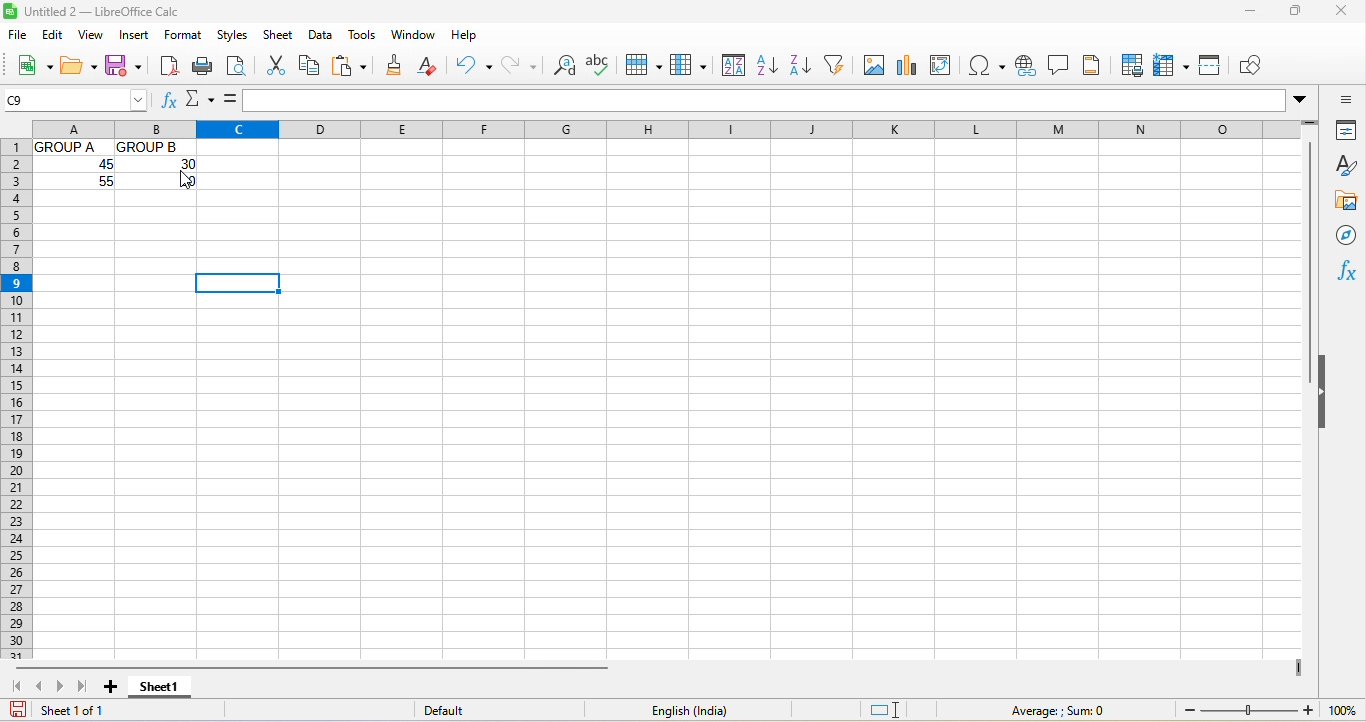 This screenshot has width=1366, height=722. Describe the element at coordinates (1342, 101) in the screenshot. I see `sidebar settings` at that location.